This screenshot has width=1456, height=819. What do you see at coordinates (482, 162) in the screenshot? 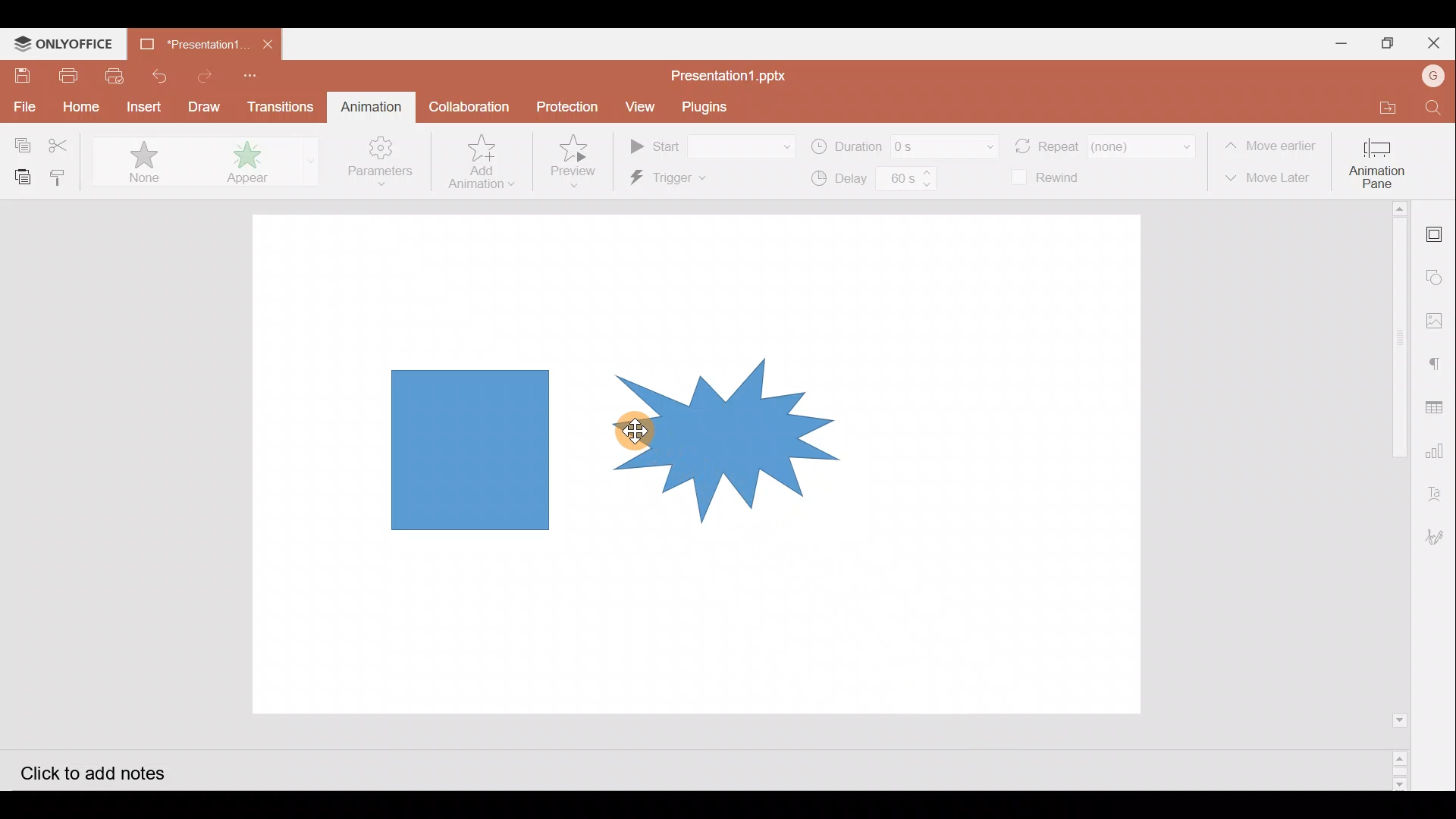
I see `Add animation` at bounding box center [482, 162].